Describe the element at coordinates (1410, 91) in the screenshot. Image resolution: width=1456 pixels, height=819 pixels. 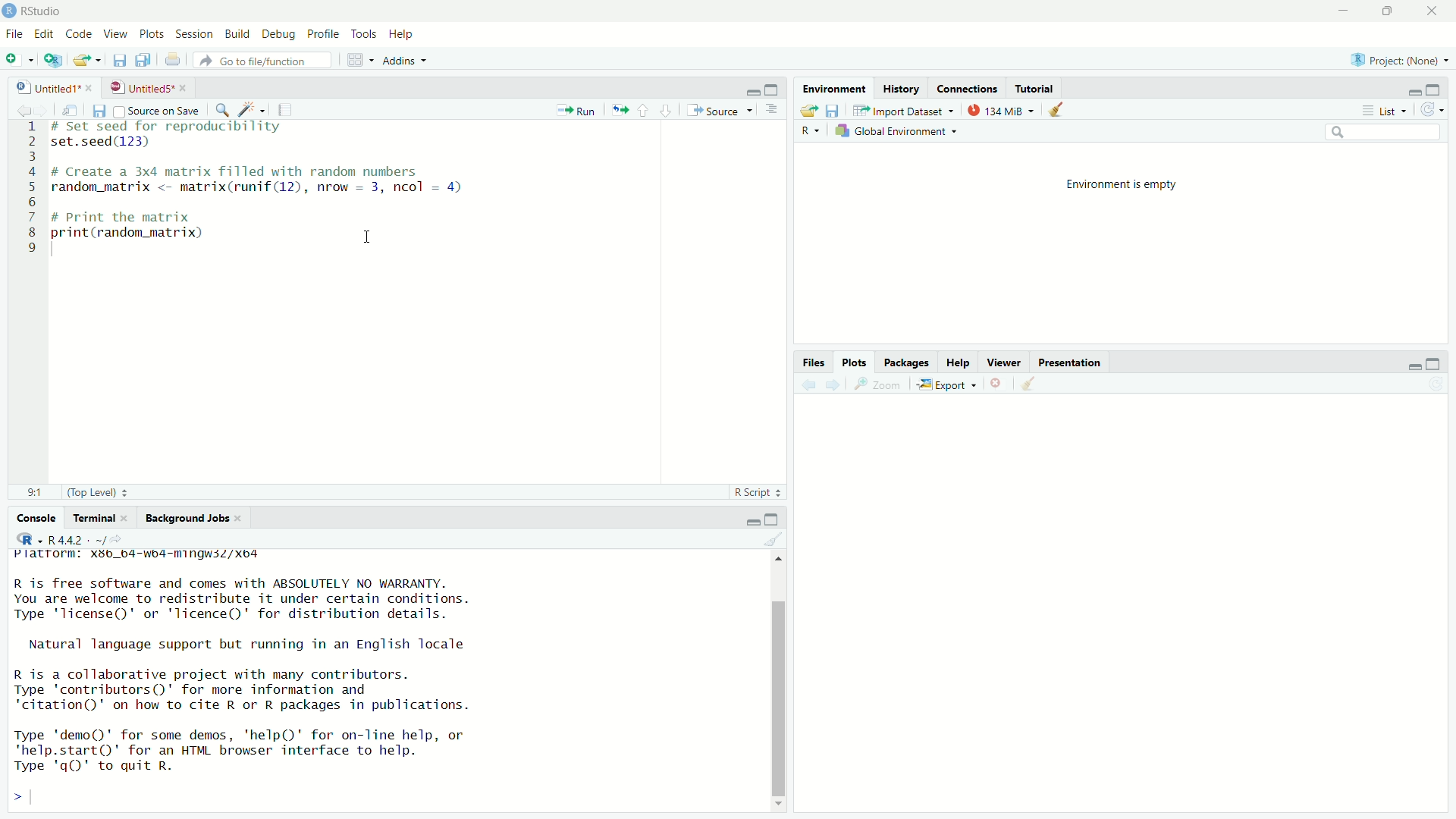
I see `minimise` at that location.